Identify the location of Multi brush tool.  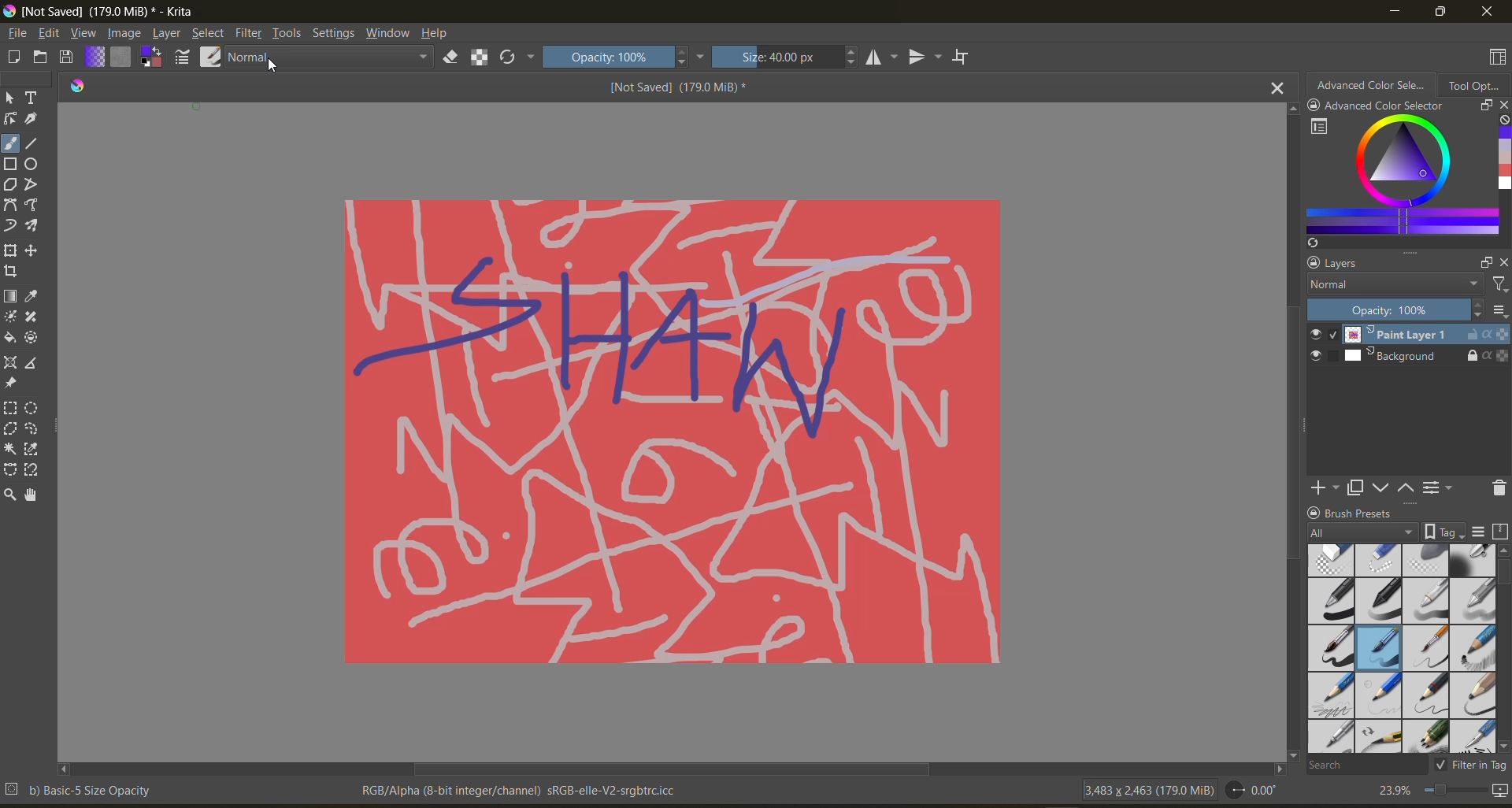
(36, 226).